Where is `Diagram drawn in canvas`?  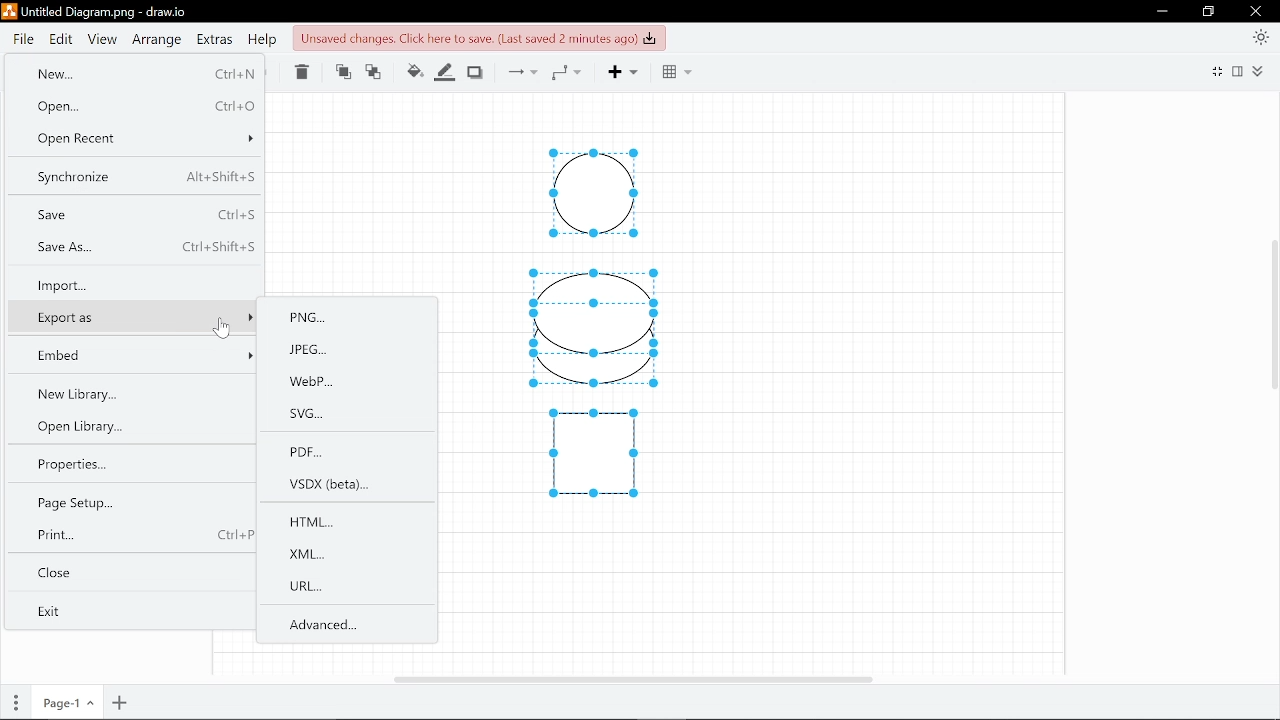 Diagram drawn in canvas is located at coordinates (602, 332).